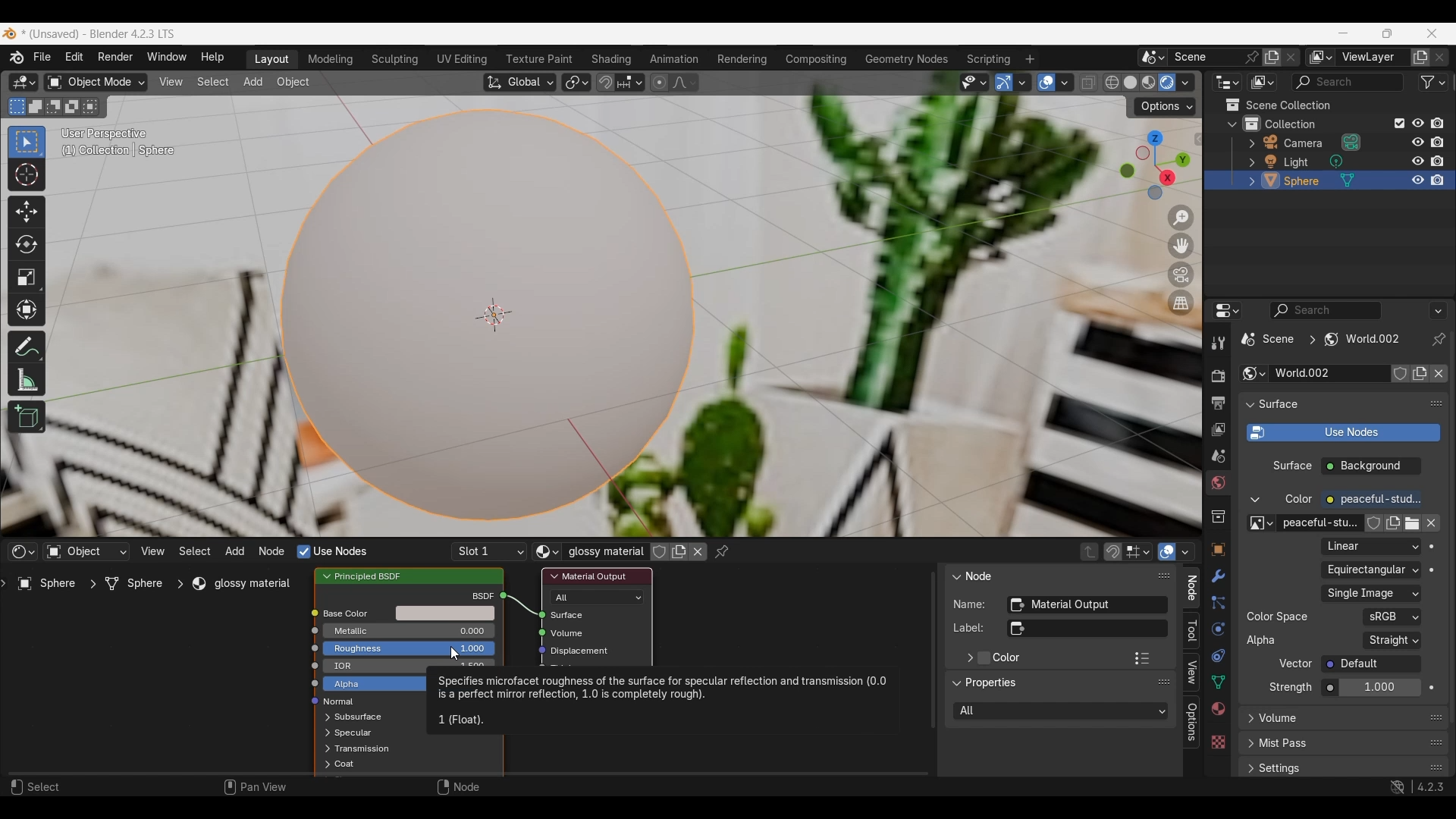  Describe the element at coordinates (1285, 744) in the screenshot. I see `mist pass` at that location.